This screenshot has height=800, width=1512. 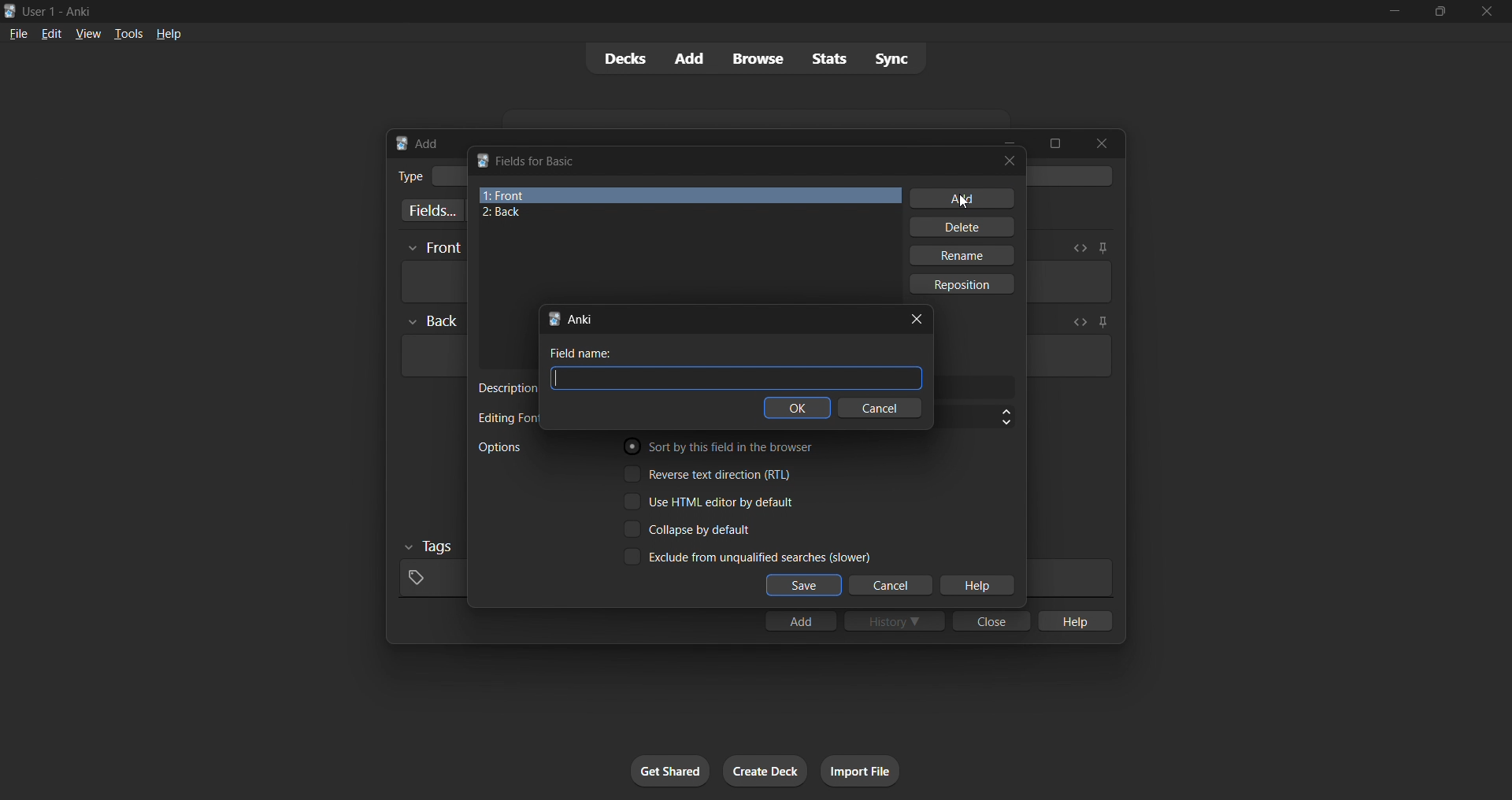 I want to click on sync, so click(x=891, y=57).